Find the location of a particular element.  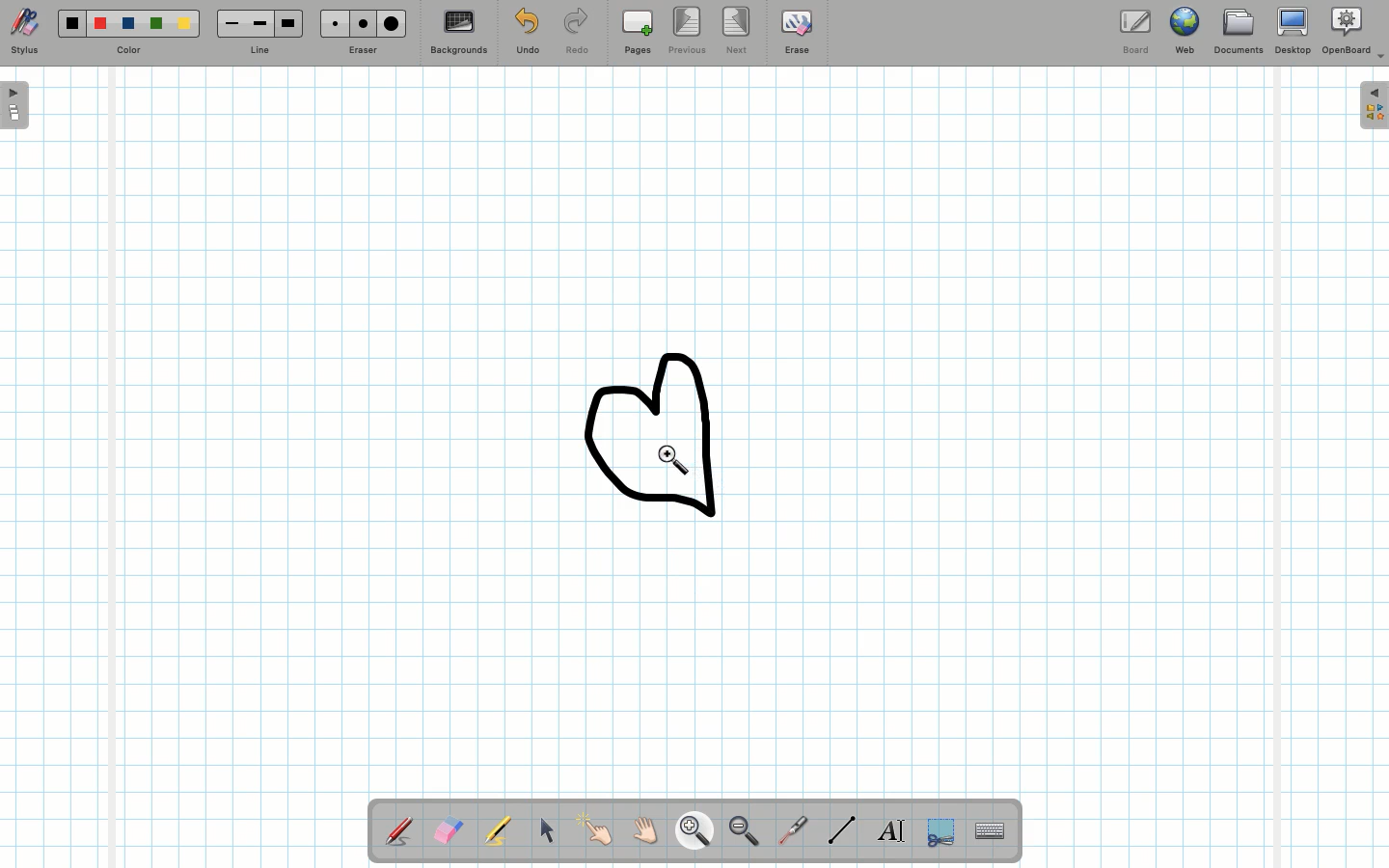

Textbox is located at coordinates (890, 829).